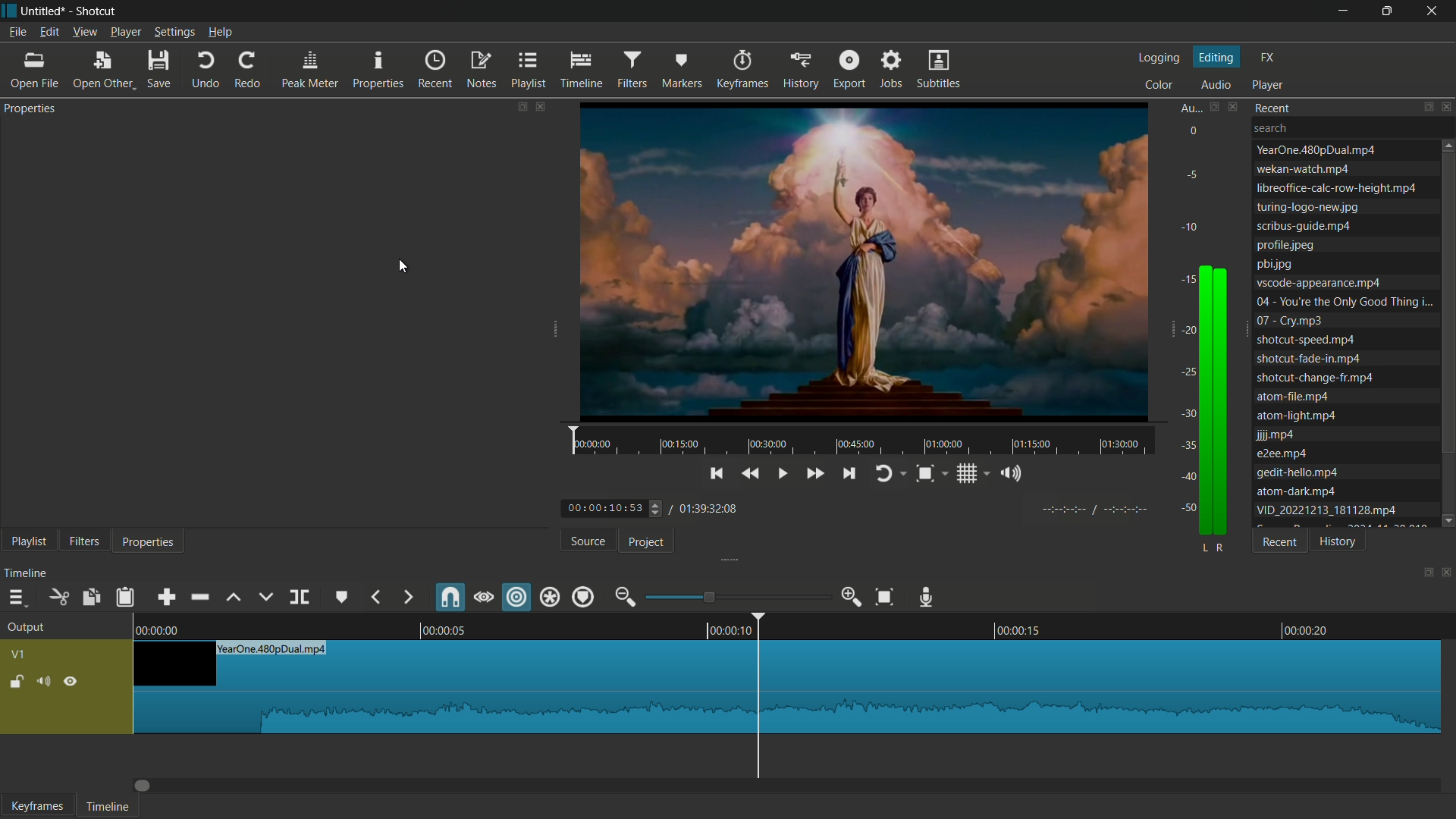 The image size is (1456, 819). I want to click on properties, so click(29, 109).